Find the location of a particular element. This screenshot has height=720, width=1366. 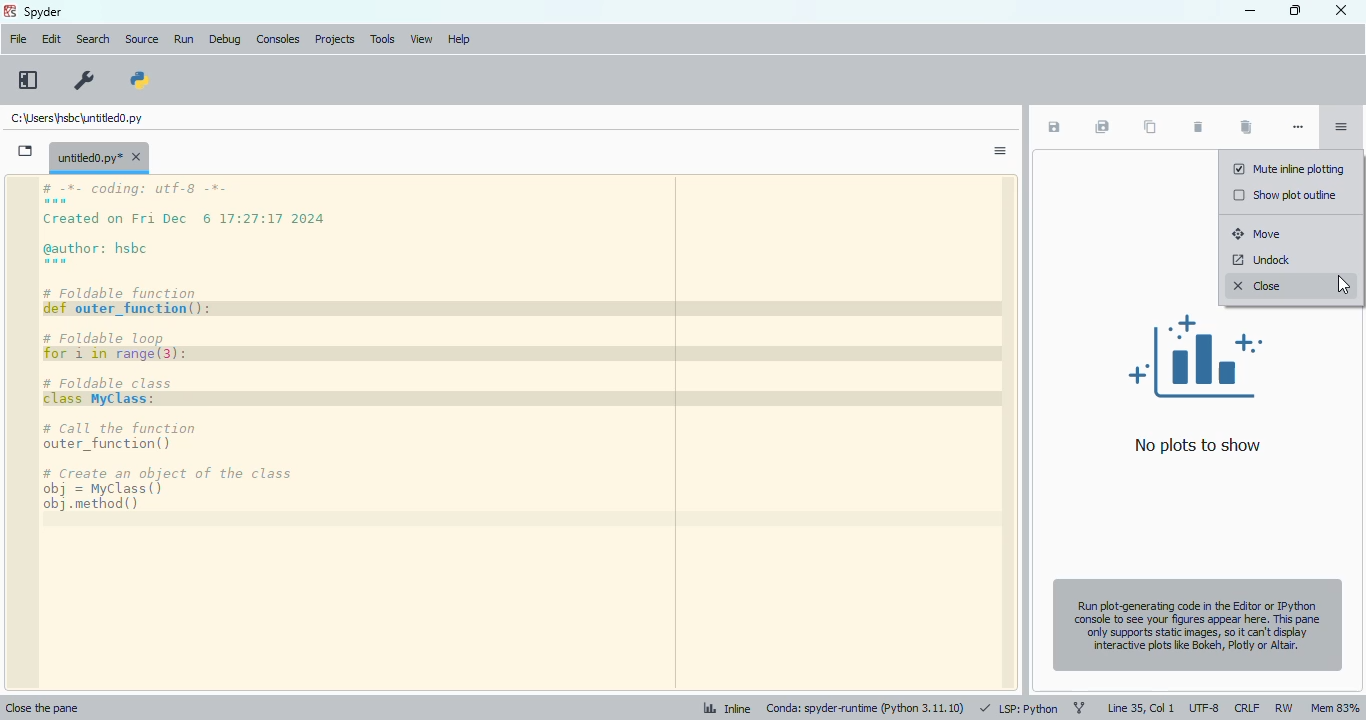

logo is located at coordinates (10, 11).